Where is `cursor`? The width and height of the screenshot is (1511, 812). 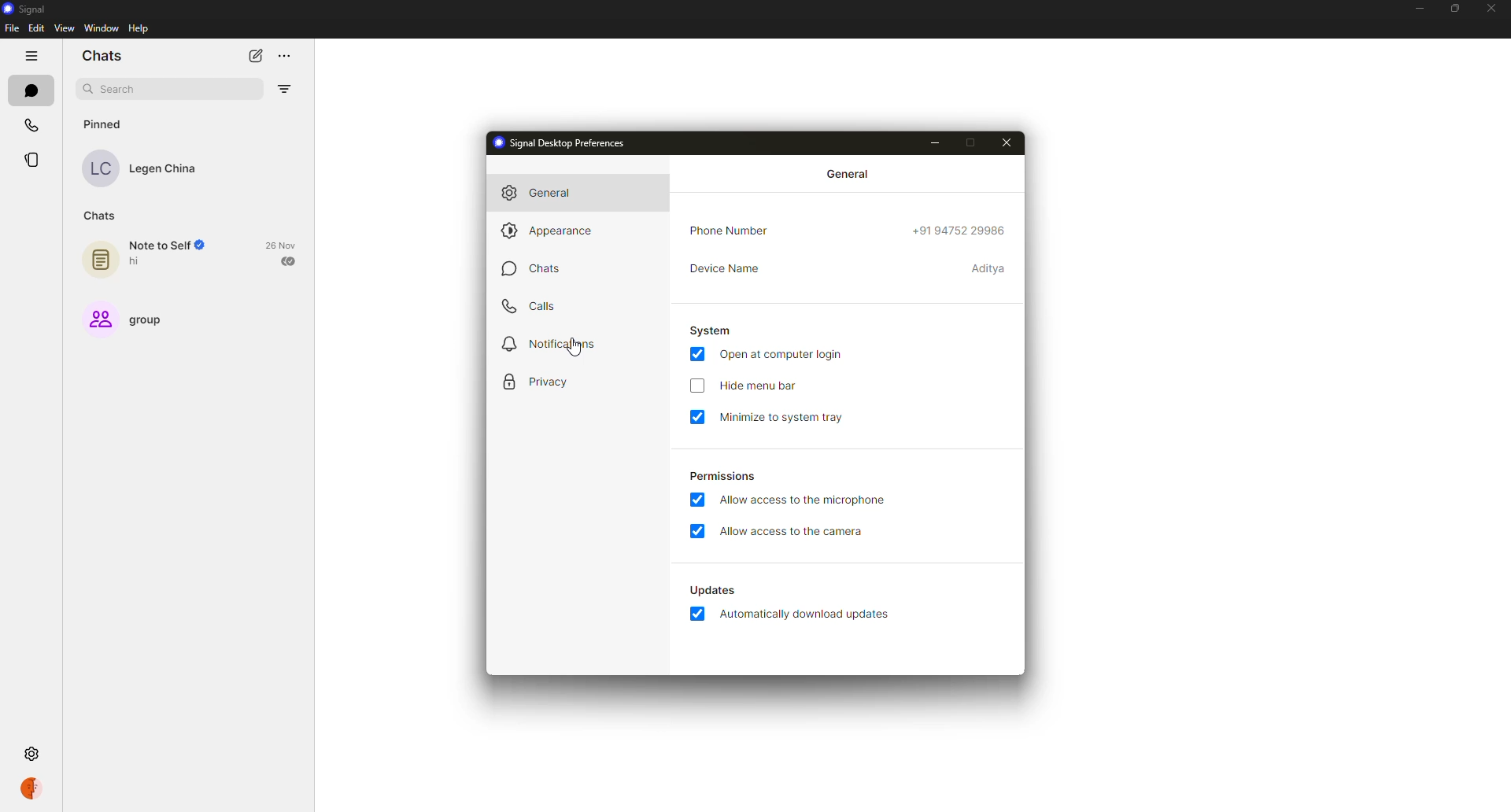
cursor is located at coordinates (574, 348).